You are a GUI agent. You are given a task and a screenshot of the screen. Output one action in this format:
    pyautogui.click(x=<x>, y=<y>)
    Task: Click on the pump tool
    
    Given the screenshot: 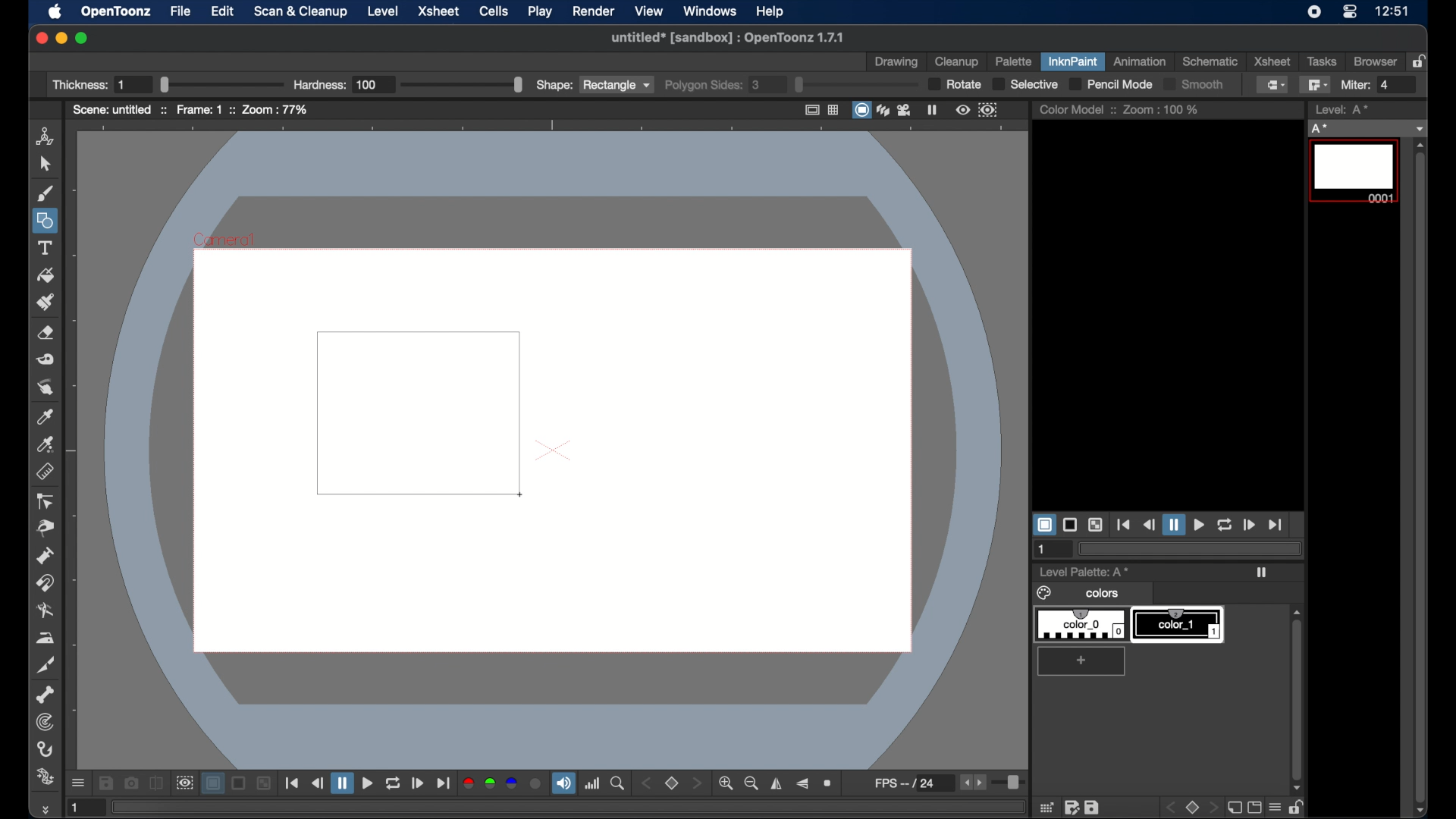 What is the action you would take?
    pyautogui.click(x=45, y=556)
    